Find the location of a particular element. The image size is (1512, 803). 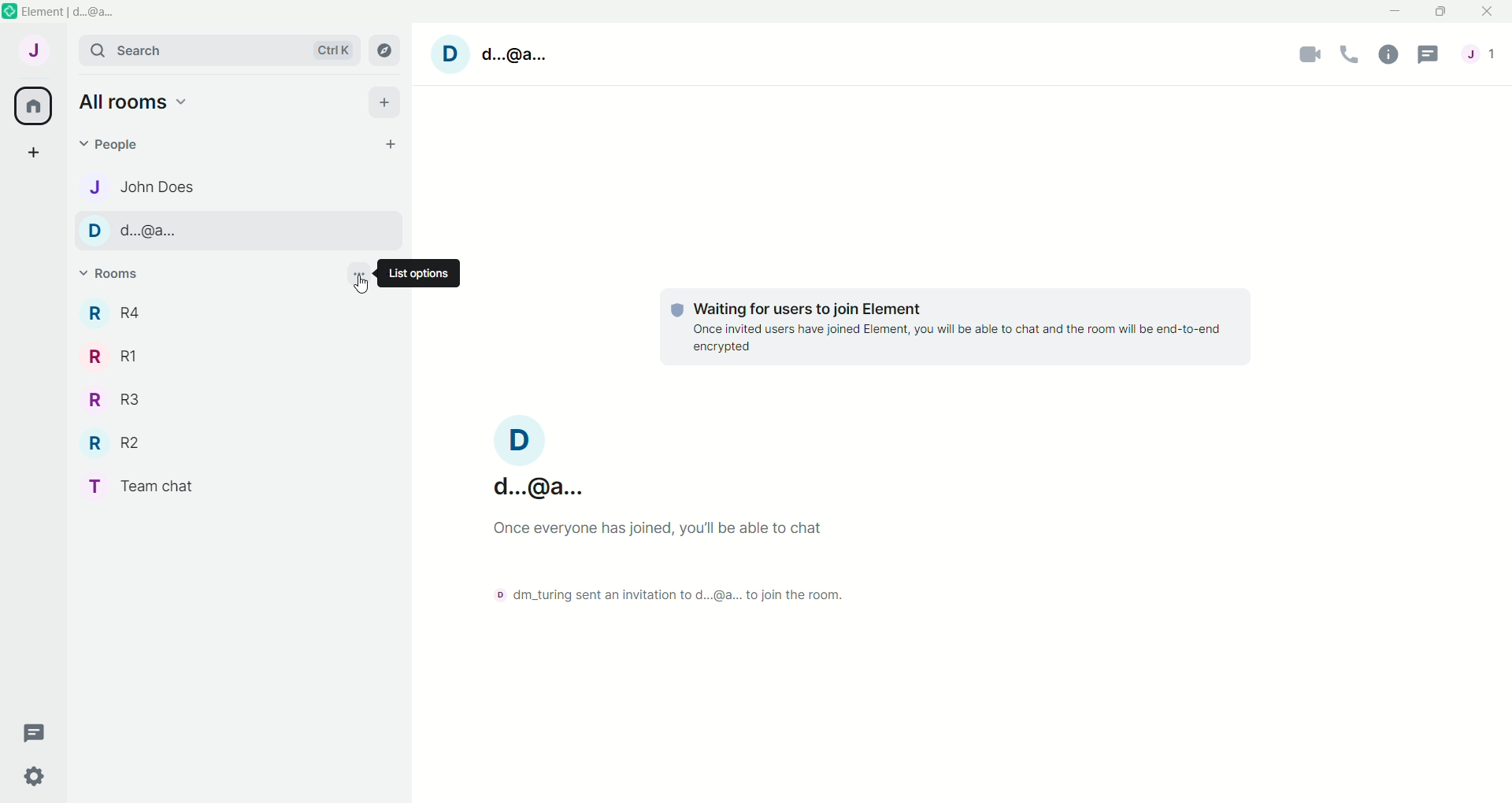

List options is located at coordinates (360, 274).